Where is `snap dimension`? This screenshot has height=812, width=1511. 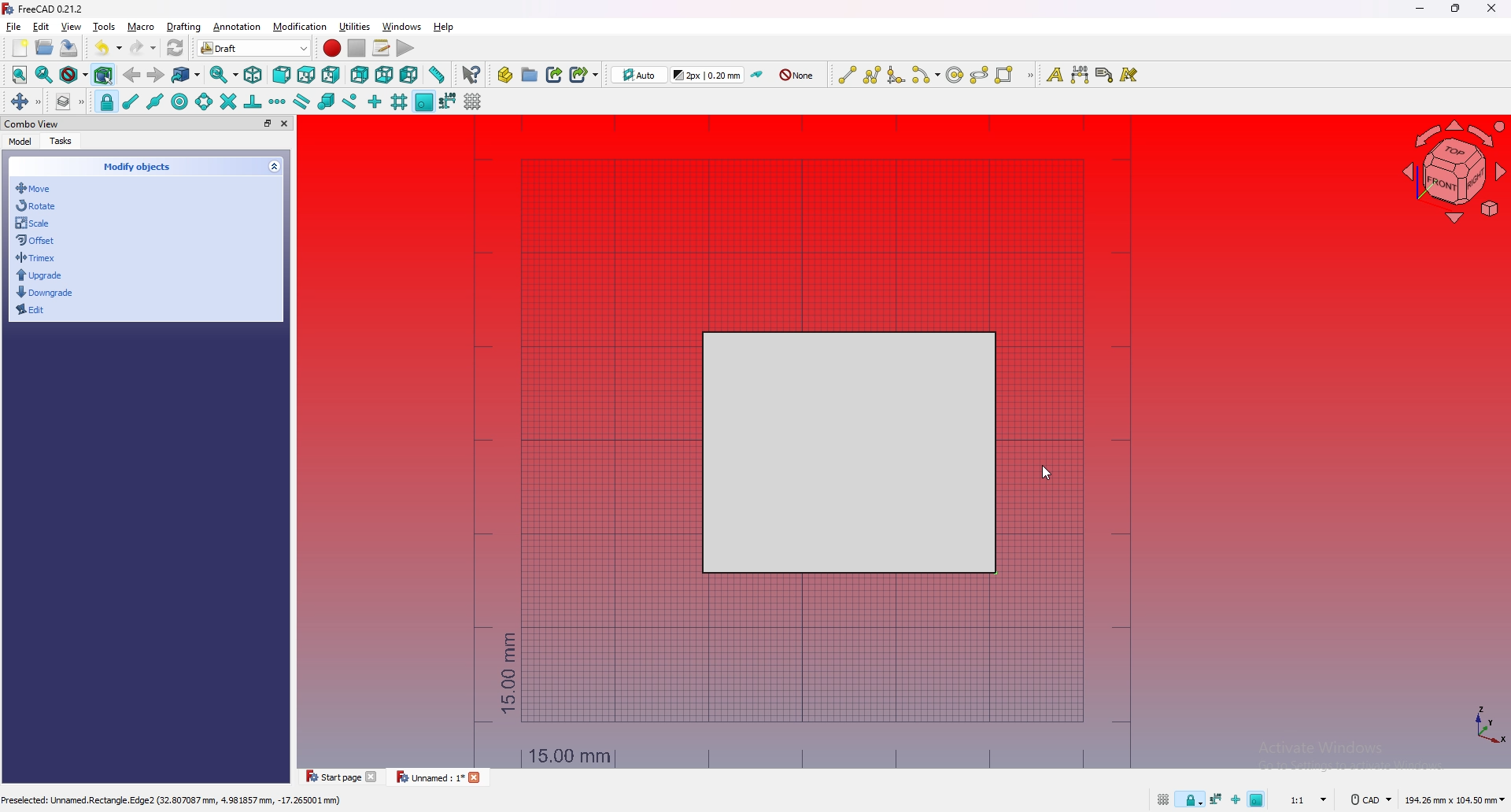
snap dimension is located at coordinates (1216, 798).